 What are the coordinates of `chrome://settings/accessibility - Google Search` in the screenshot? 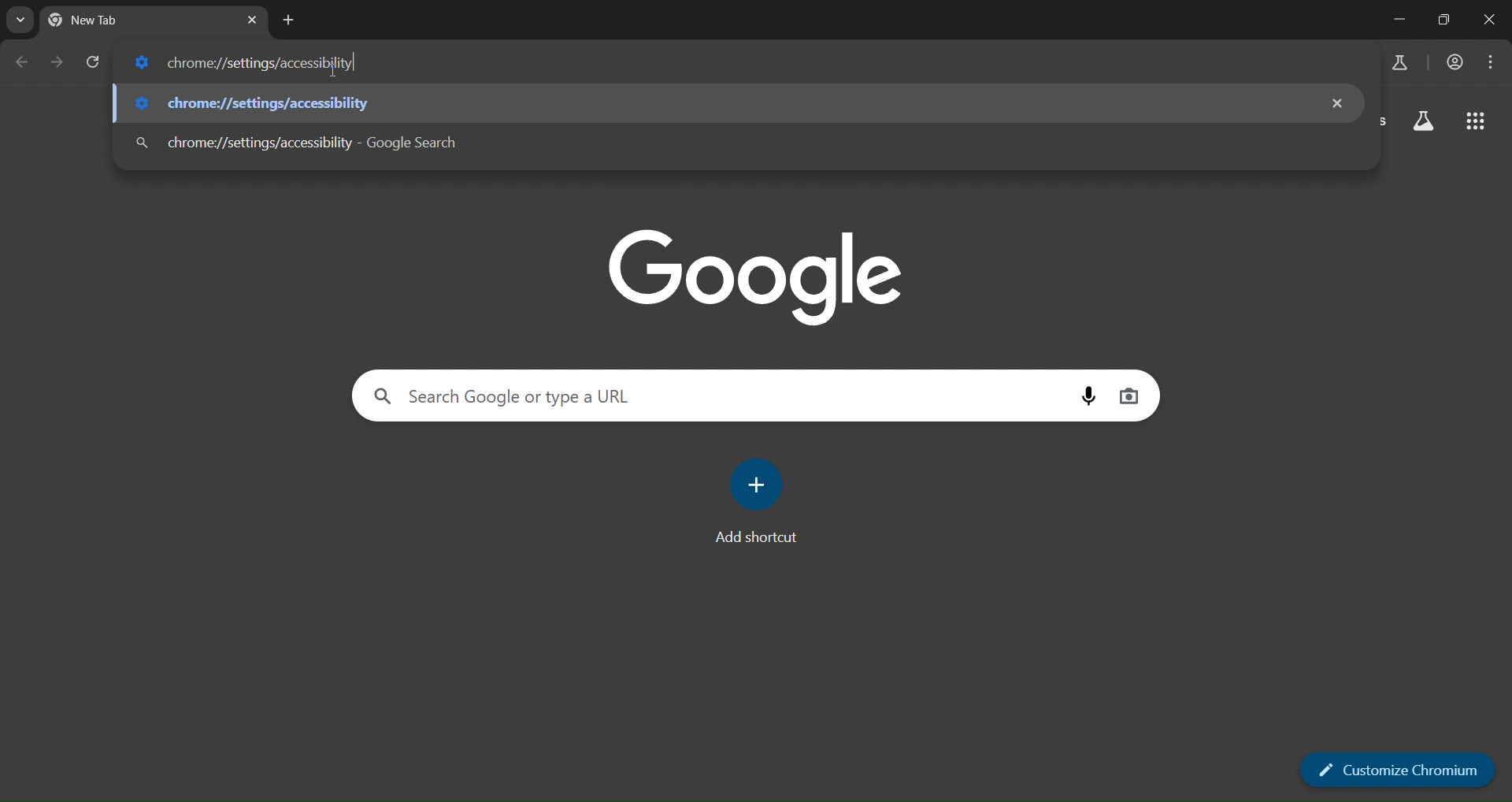 It's located at (301, 142).